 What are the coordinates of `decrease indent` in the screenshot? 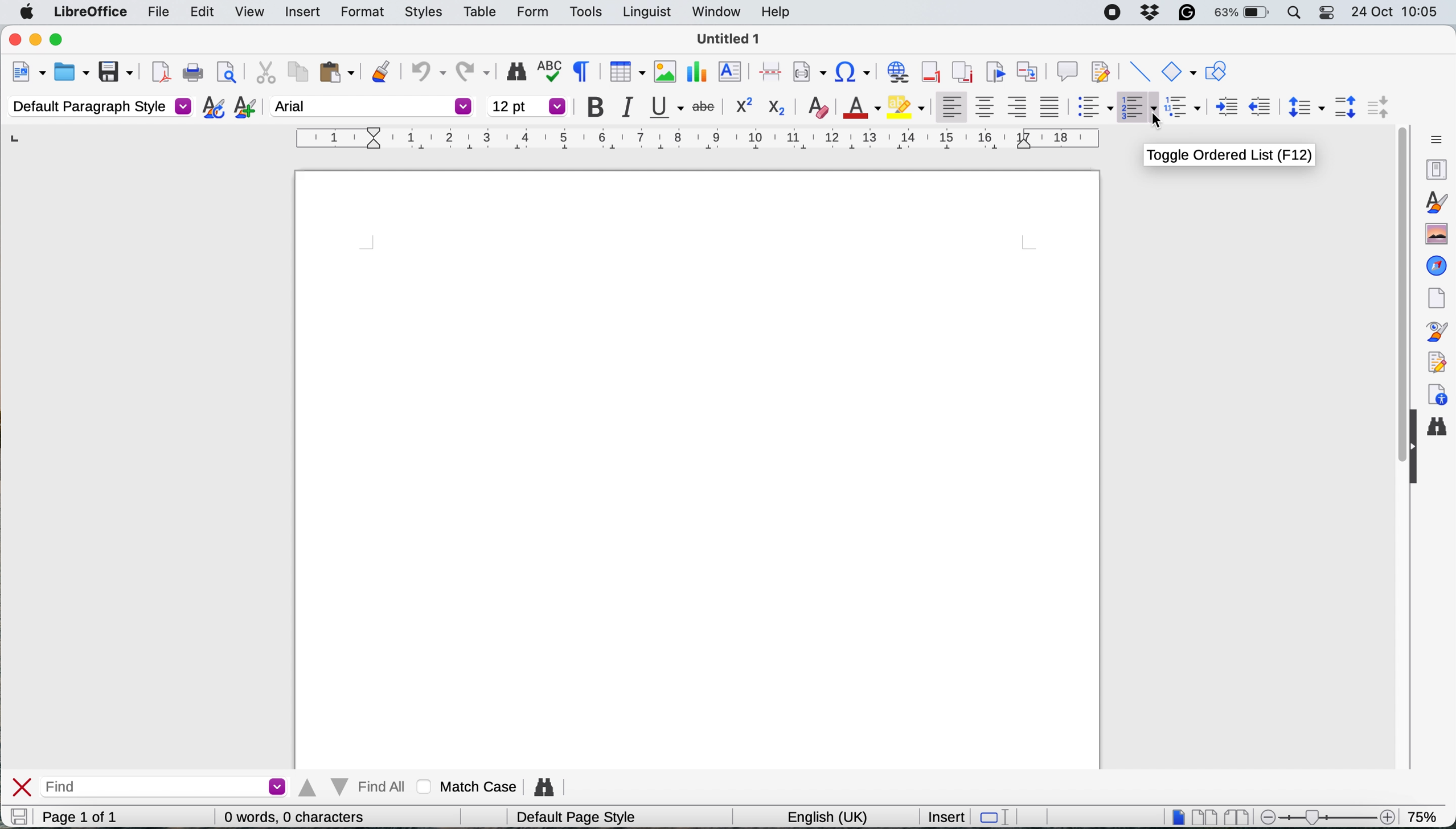 It's located at (1226, 105).